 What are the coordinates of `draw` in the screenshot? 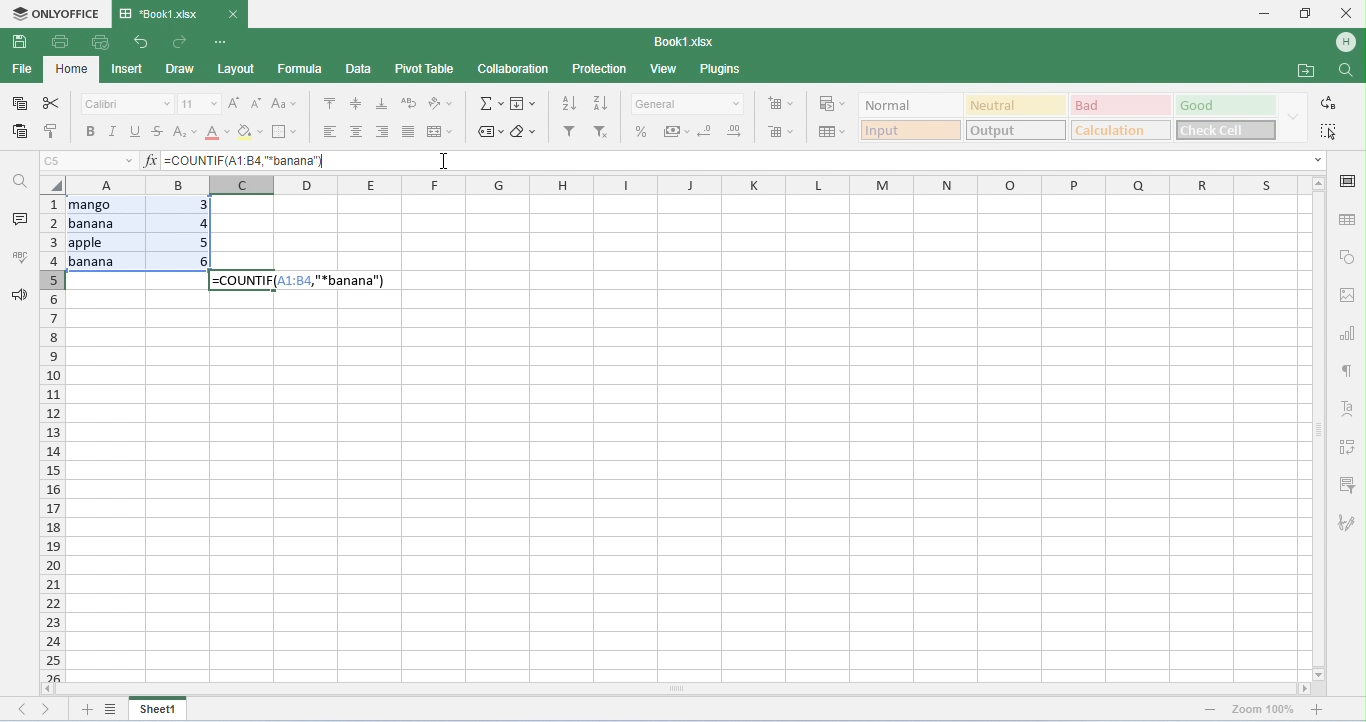 It's located at (182, 69).